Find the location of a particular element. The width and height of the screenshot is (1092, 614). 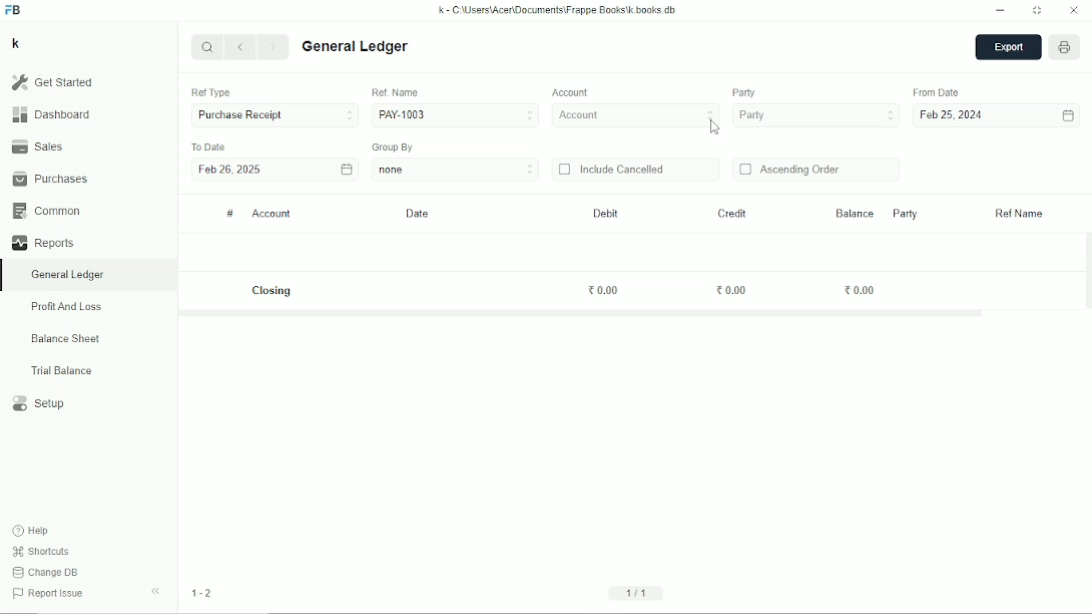

Credit is located at coordinates (731, 214).